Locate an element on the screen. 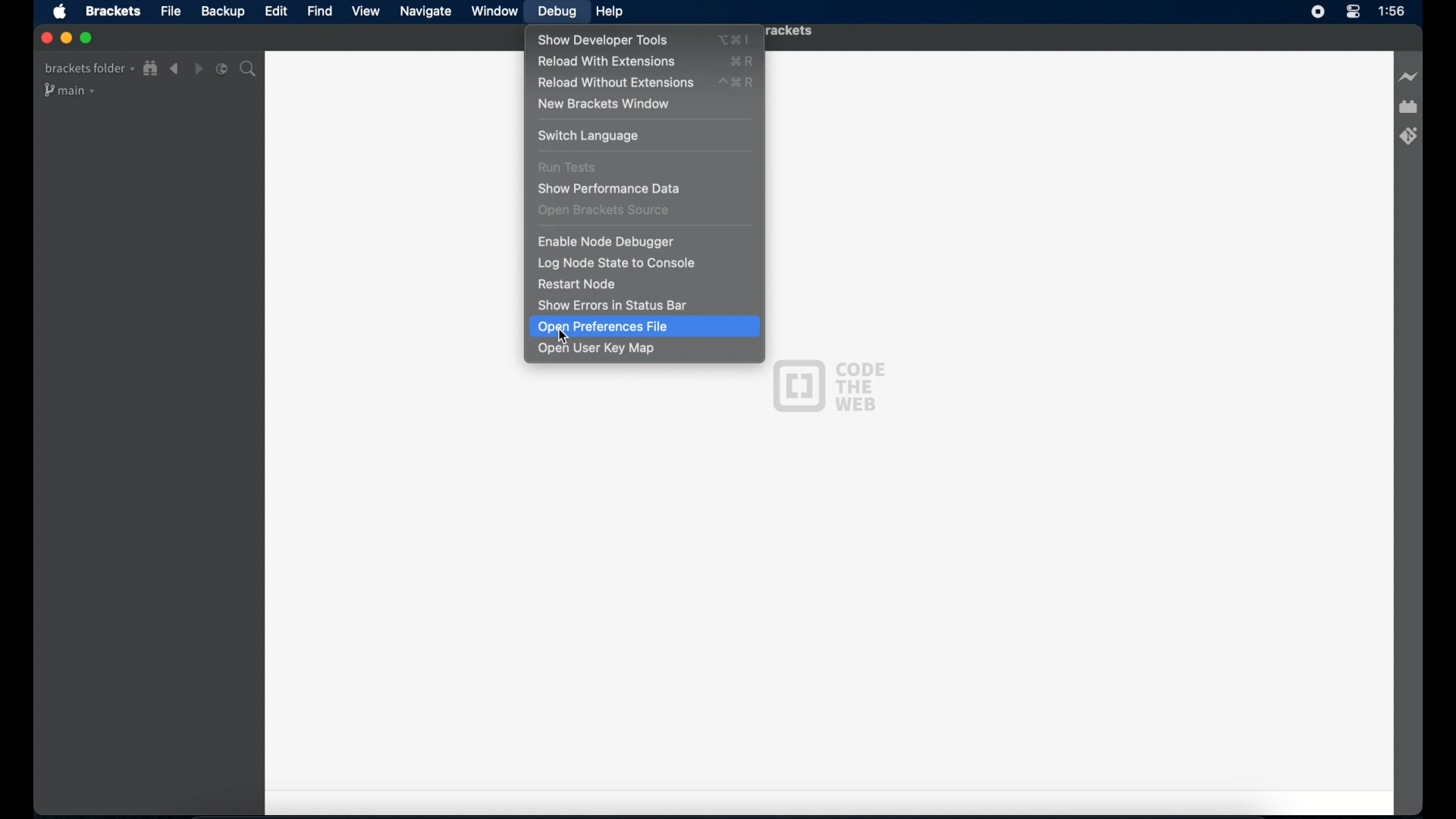  switch language is located at coordinates (588, 136).